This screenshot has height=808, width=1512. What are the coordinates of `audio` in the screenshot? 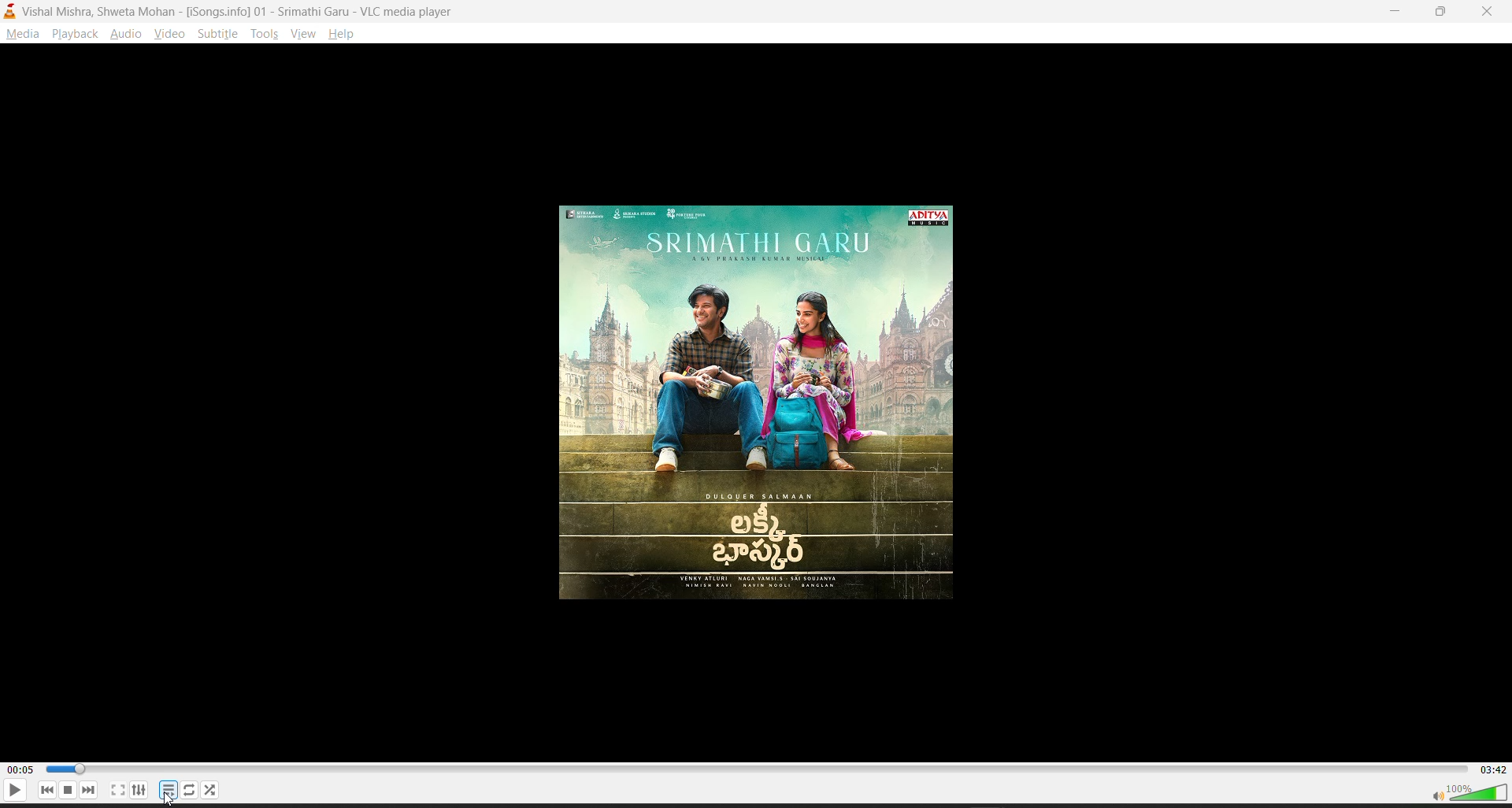 It's located at (127, 32).